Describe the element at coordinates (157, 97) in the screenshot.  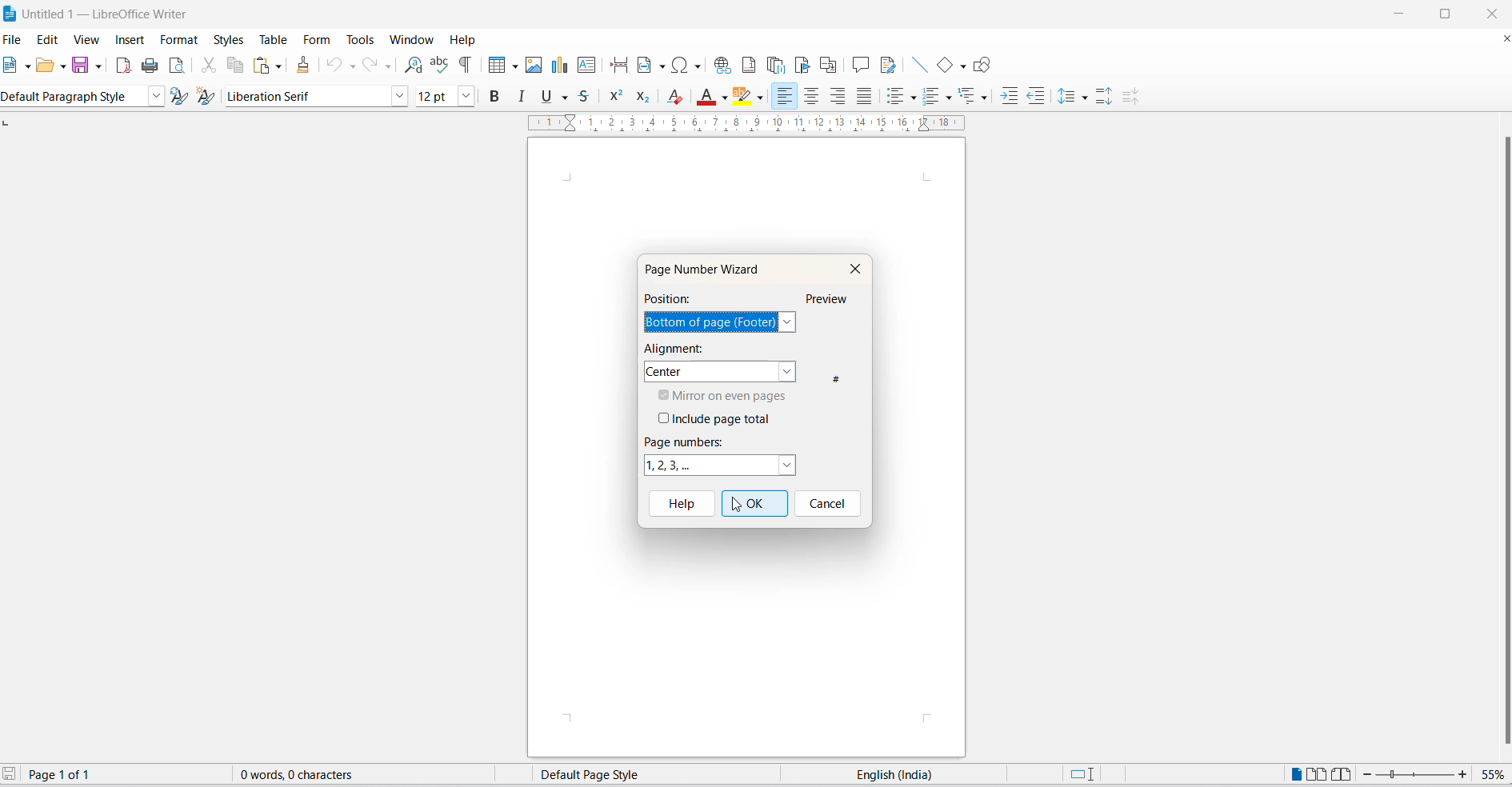
I see `paragraph styles options` at that location.